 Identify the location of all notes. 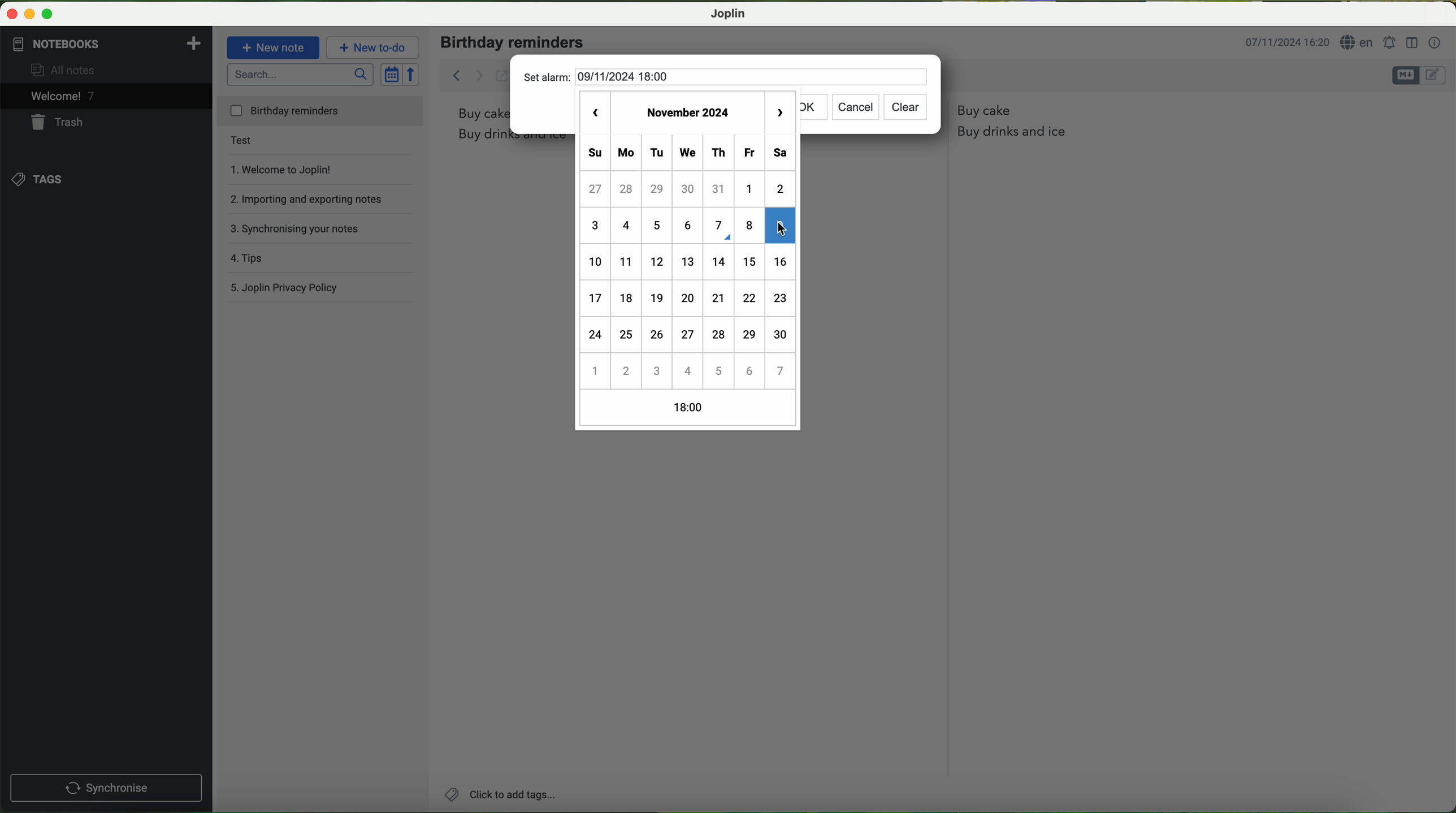
(75, 71).